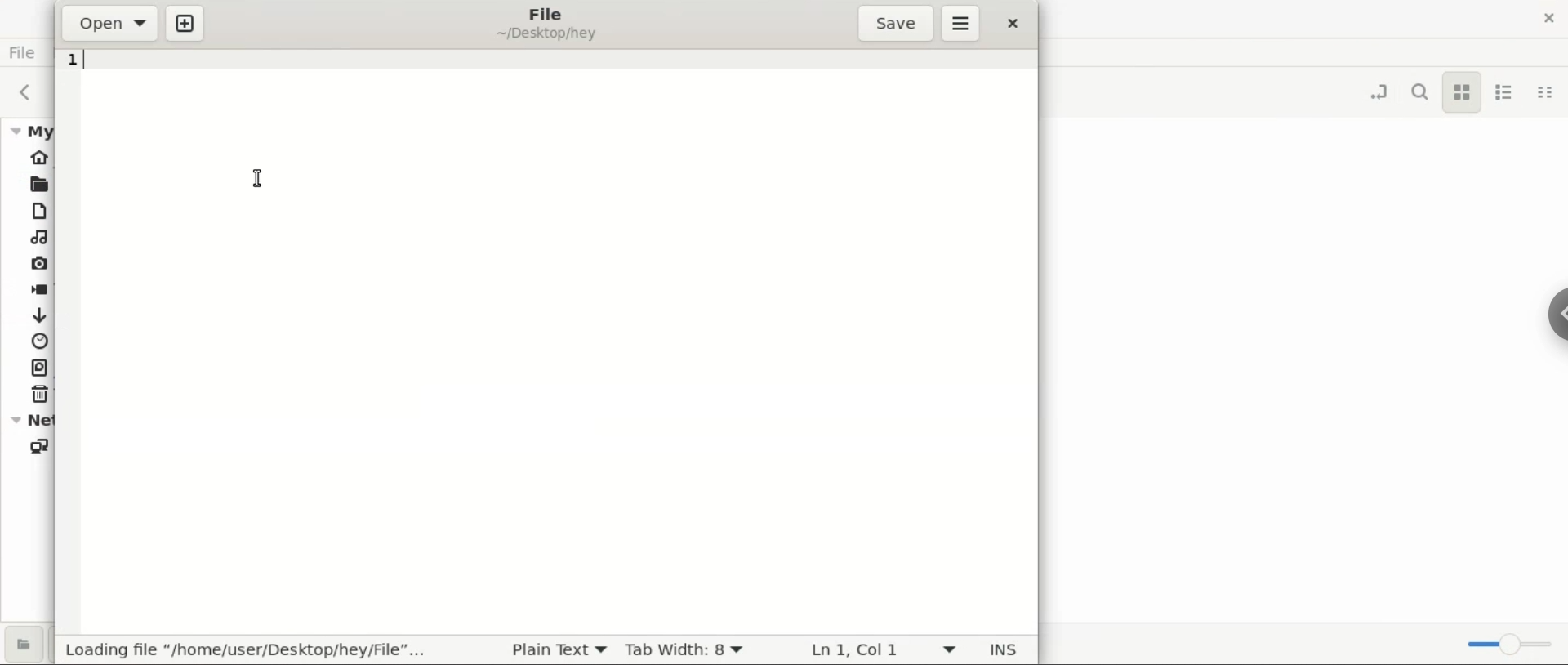  Describe the element at coordinates (561, 649) in the screenshot. I see `plain text` at that location.